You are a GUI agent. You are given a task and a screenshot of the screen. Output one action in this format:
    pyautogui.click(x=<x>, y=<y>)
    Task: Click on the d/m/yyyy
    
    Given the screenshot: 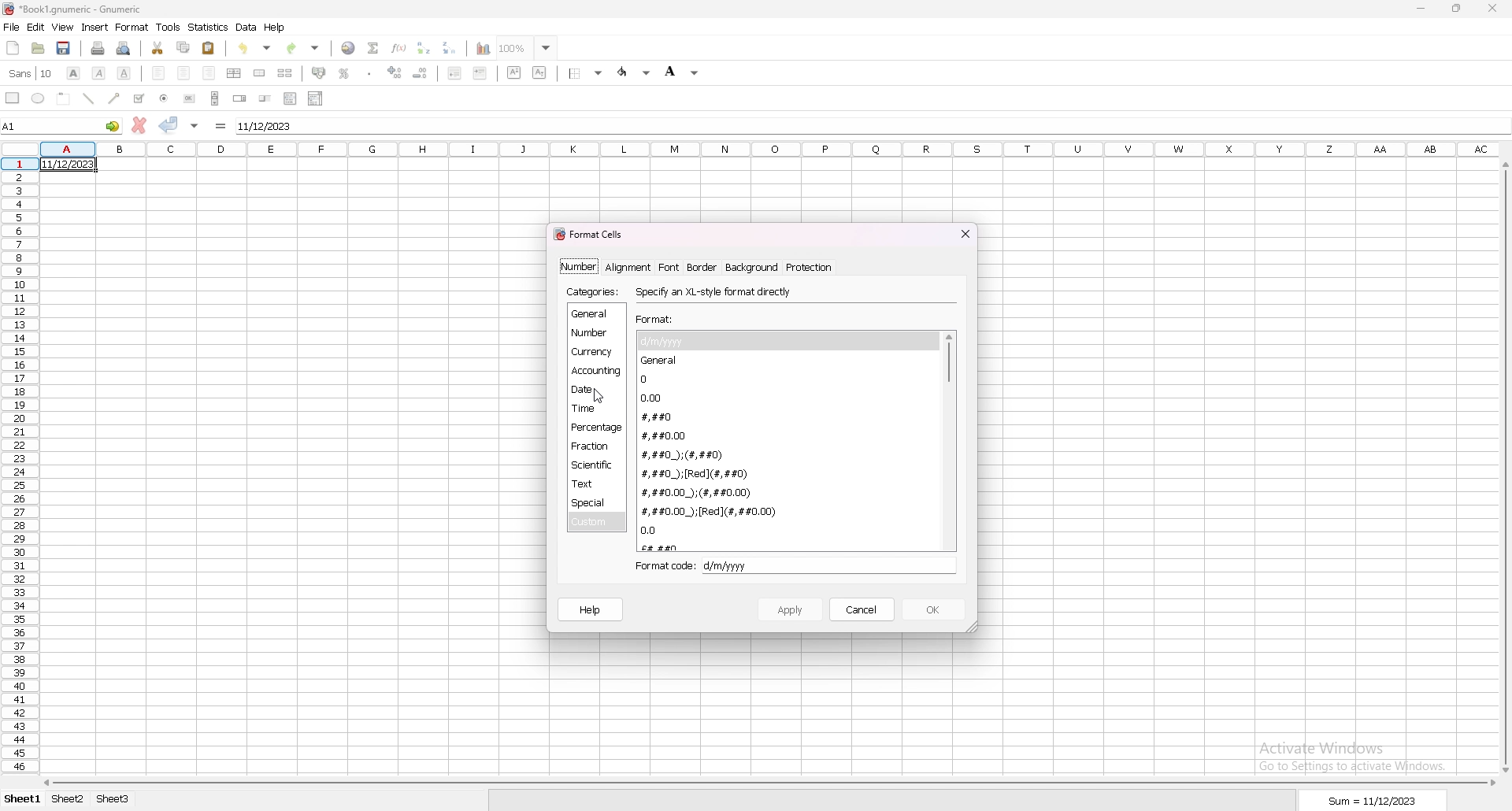 What is the action you would take?
    pyautogui.click(x=730, y=565)
    